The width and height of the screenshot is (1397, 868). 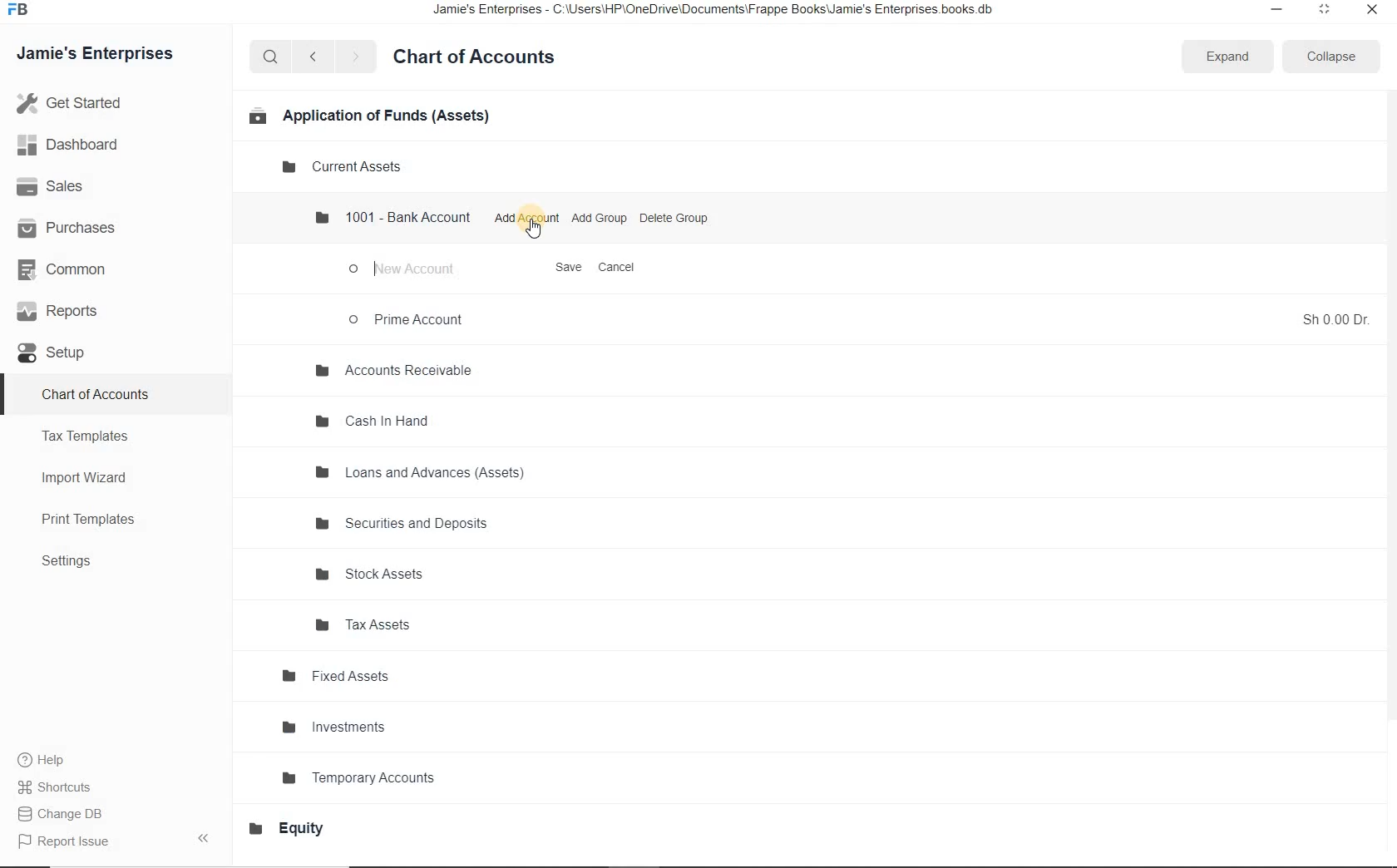 I want to click on Print Templates, so click(x=97, y=520).